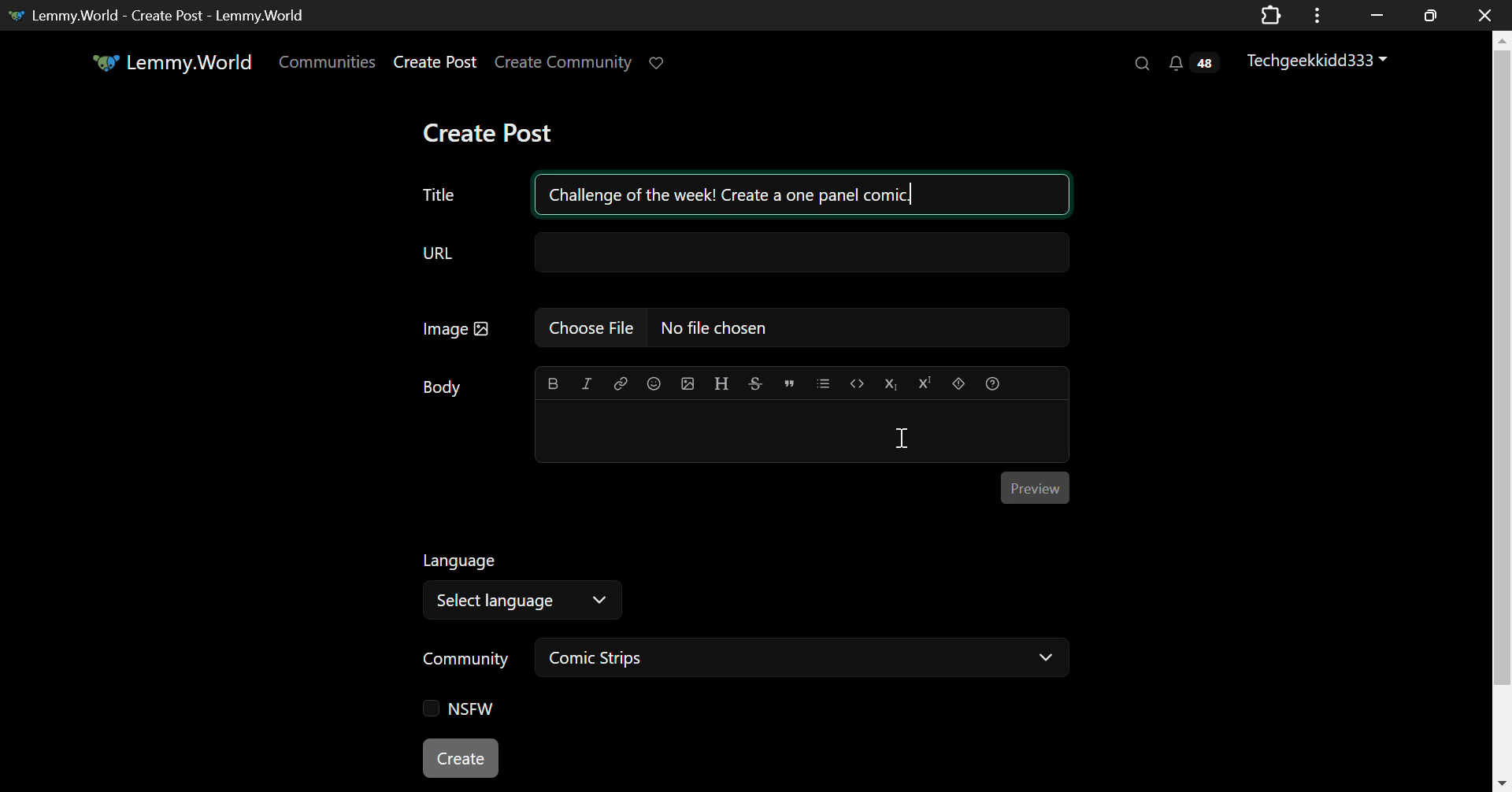 Image resolution: width=1512 pixels, height=792 pixels. What do you see at coordinates (825, 383) in the screenshot?
I see `list` at bounding box center [825, 383].